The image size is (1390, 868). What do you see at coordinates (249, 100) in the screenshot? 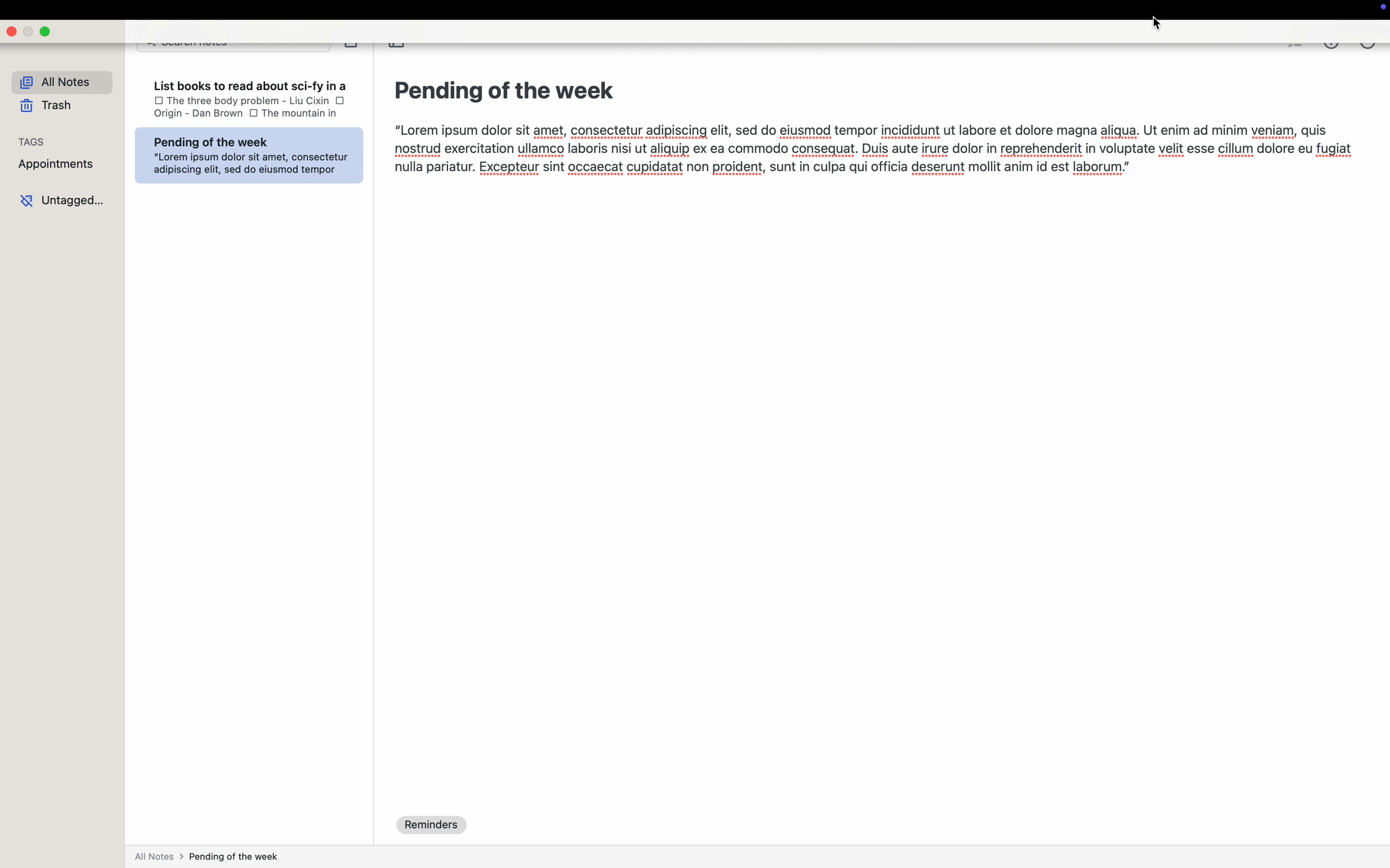
I see `the three body problem-liu cixin` at bounding box center [249, 100].